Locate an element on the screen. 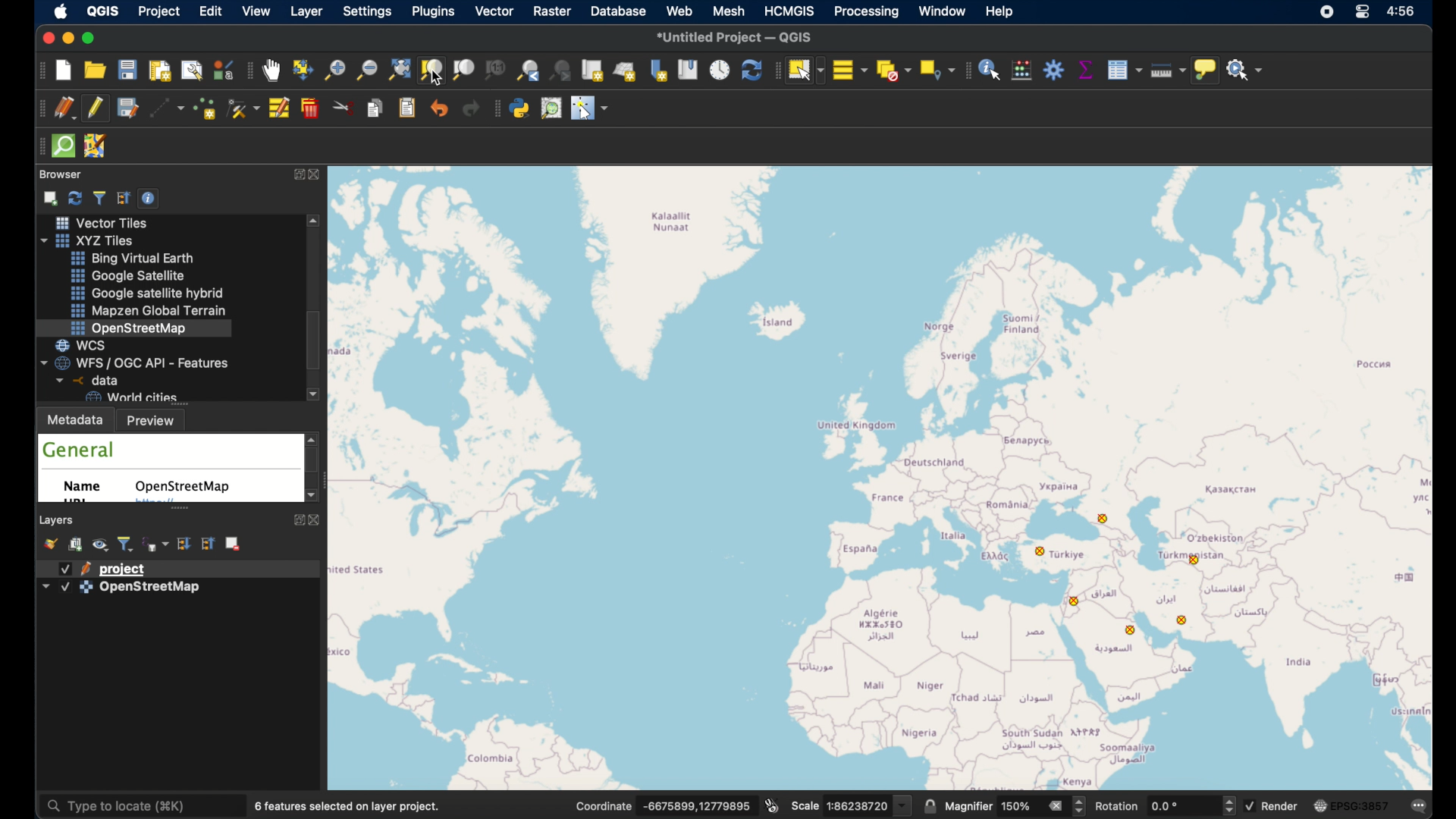  dropdown is located at coordinates (45, 585).